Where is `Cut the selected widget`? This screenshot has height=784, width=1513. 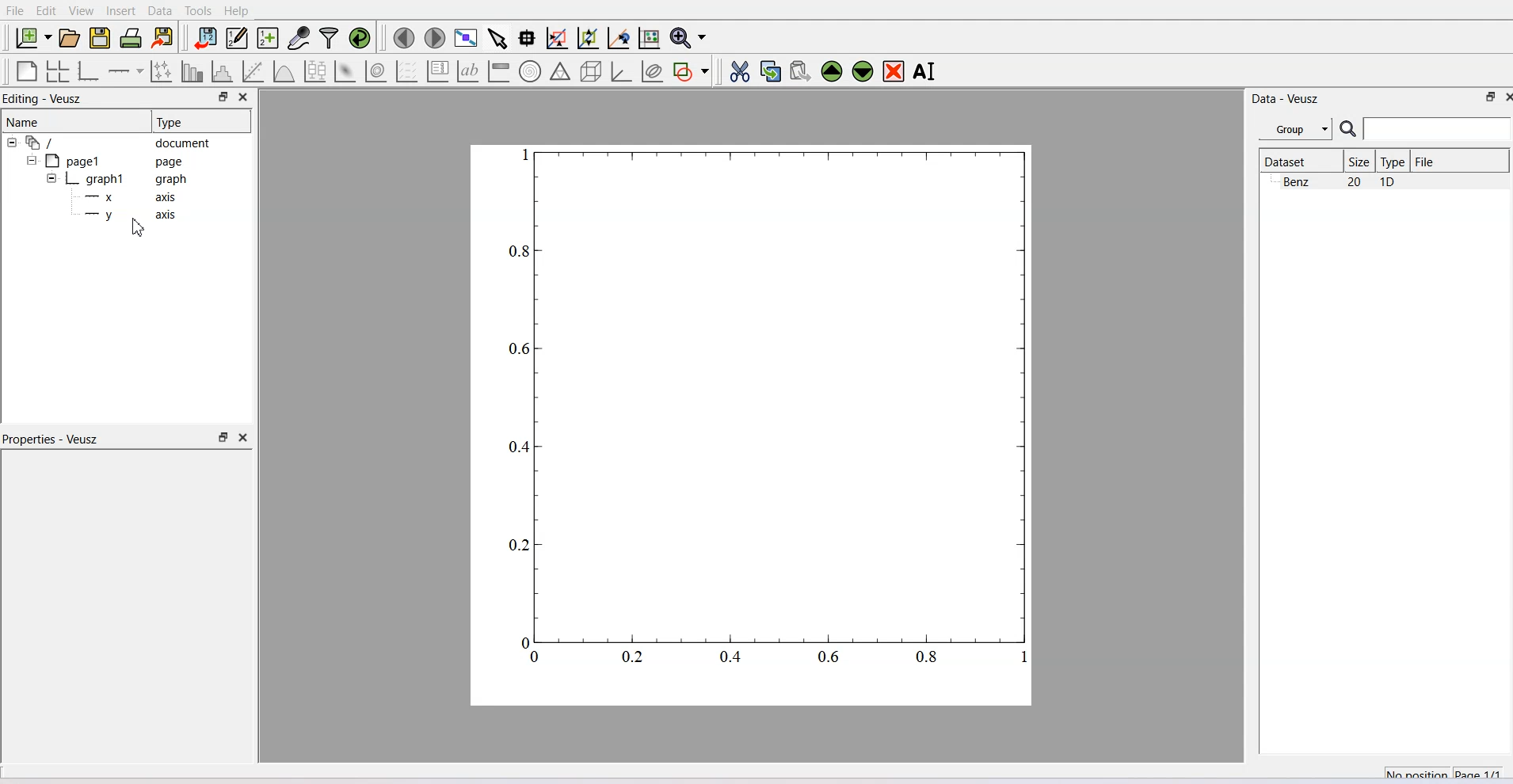 Cut the selected widget is located at coordinates (741, 71).